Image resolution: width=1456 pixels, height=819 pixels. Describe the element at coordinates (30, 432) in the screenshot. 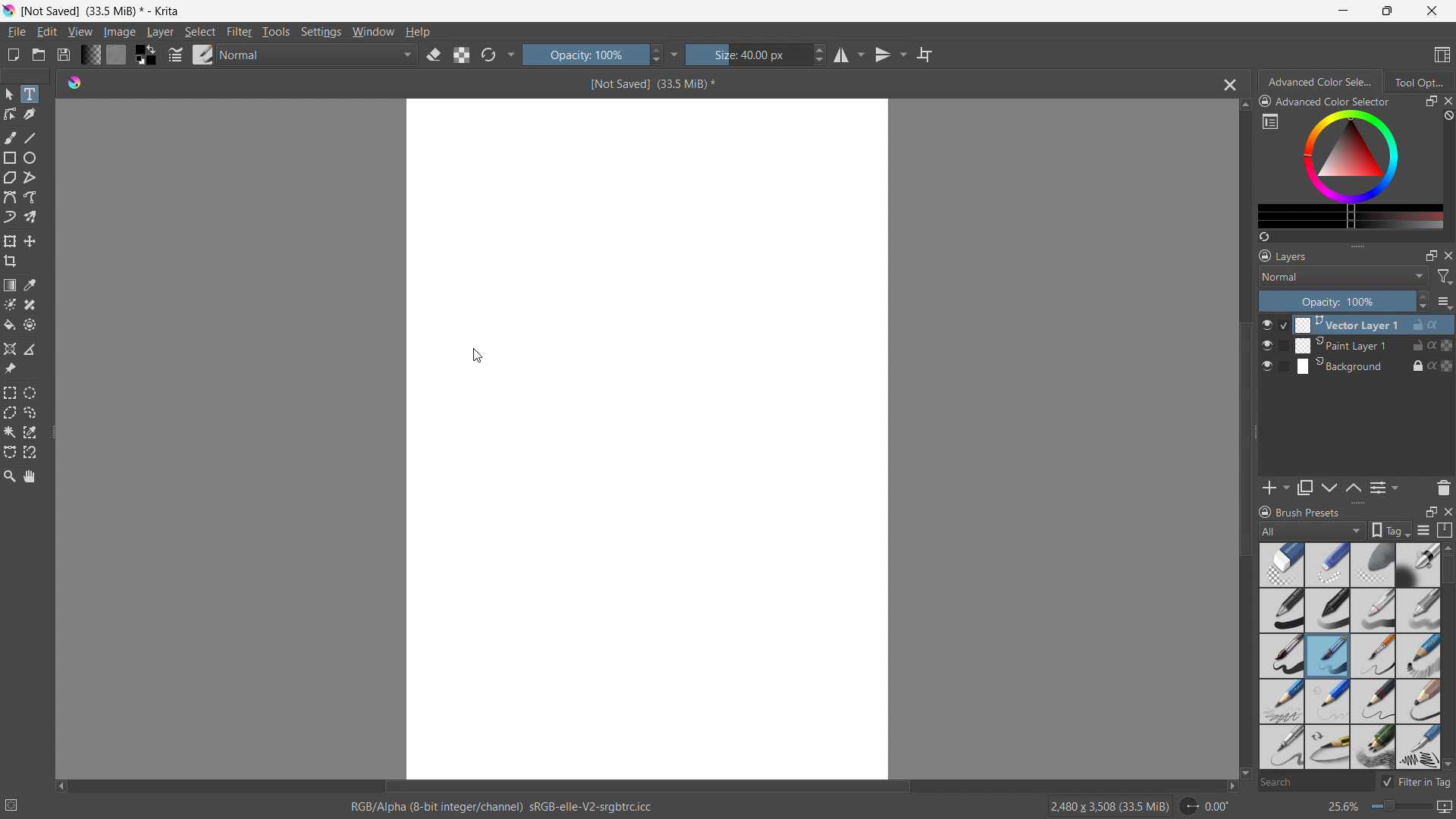

I see `same color selection tool` at that location.